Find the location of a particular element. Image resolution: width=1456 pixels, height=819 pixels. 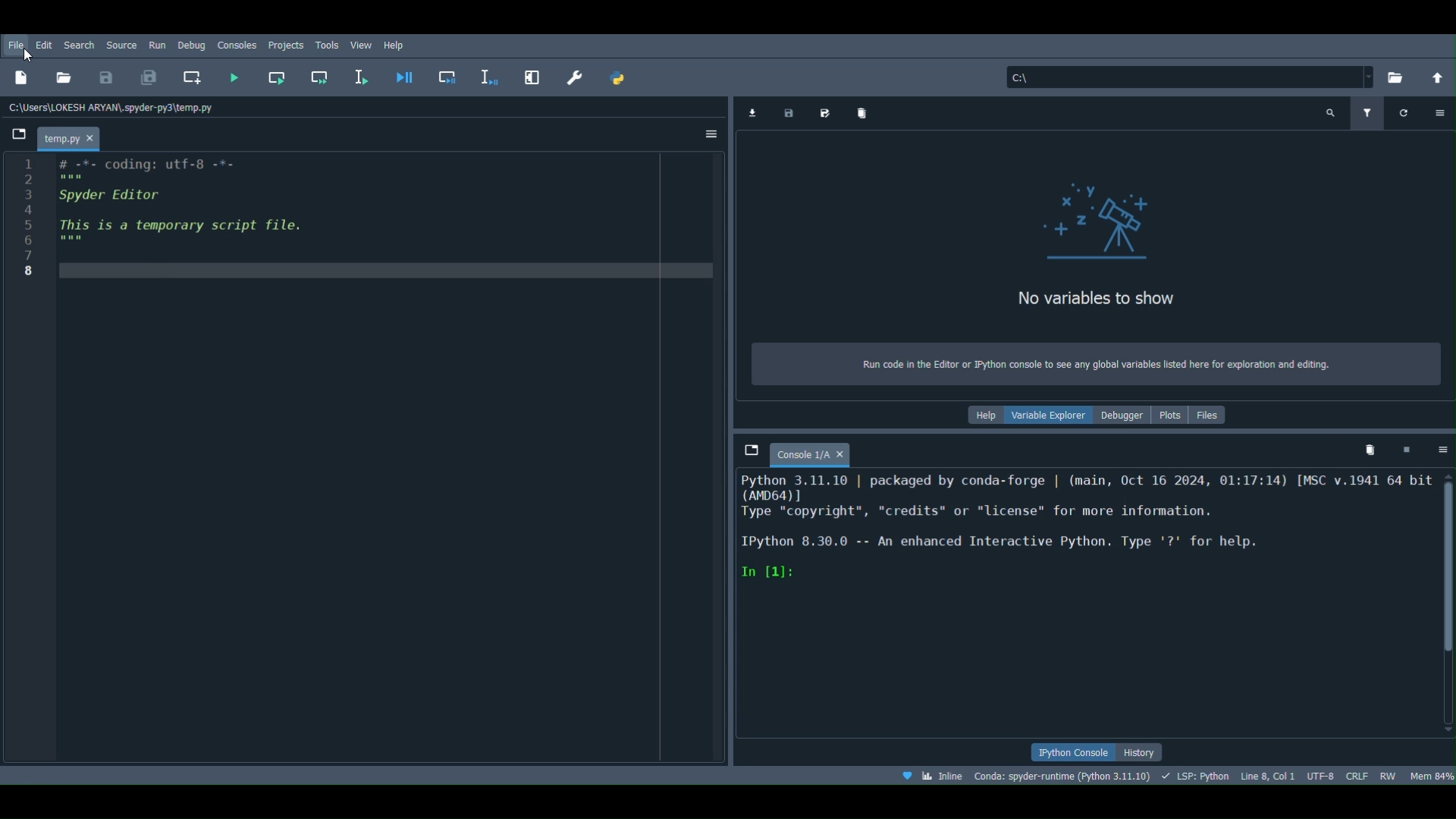

Browse a working directory is located at coordinates (1393, 75).